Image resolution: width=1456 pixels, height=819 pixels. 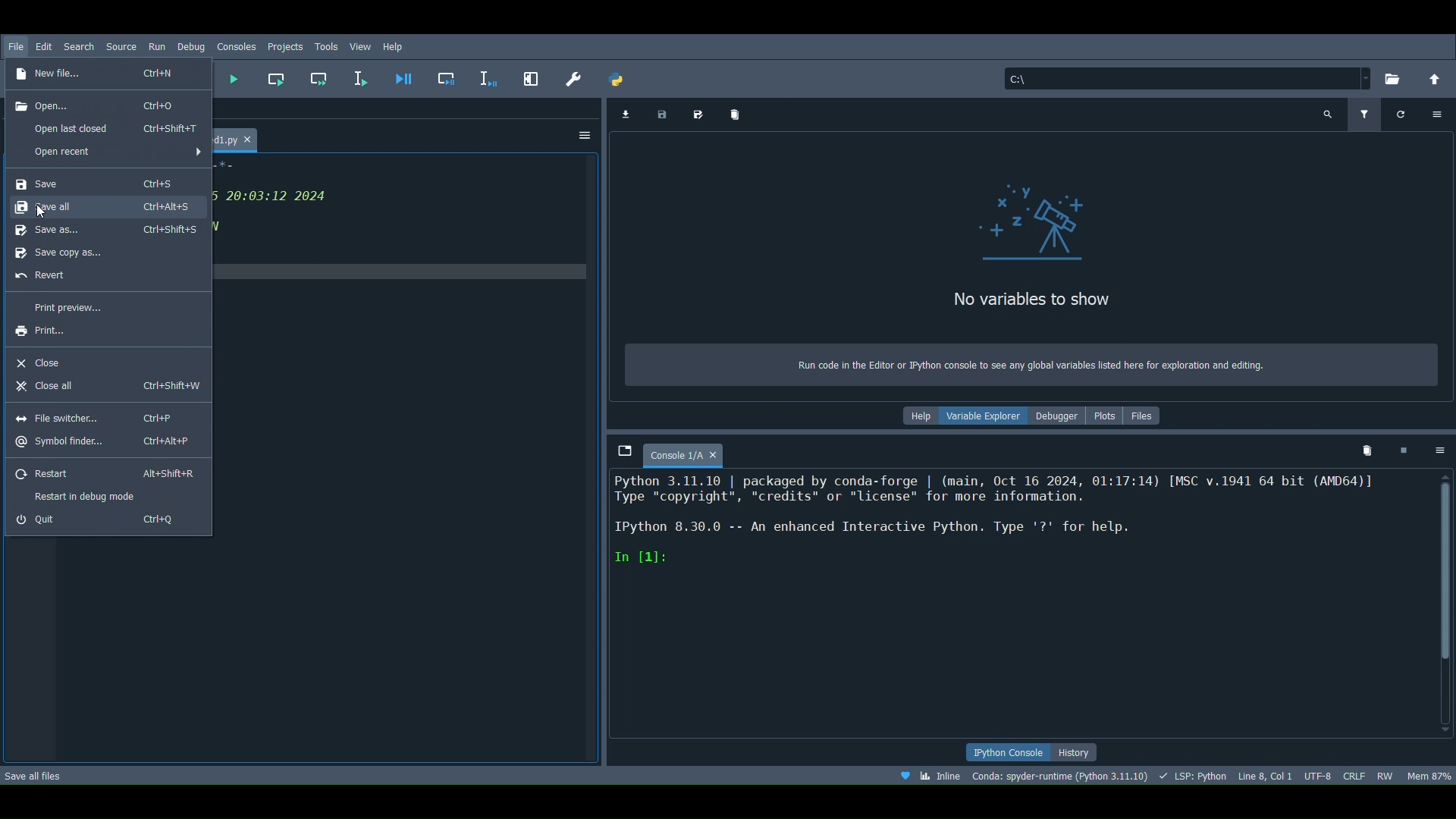 I want to click on icon, so click(x=1029, y=225).